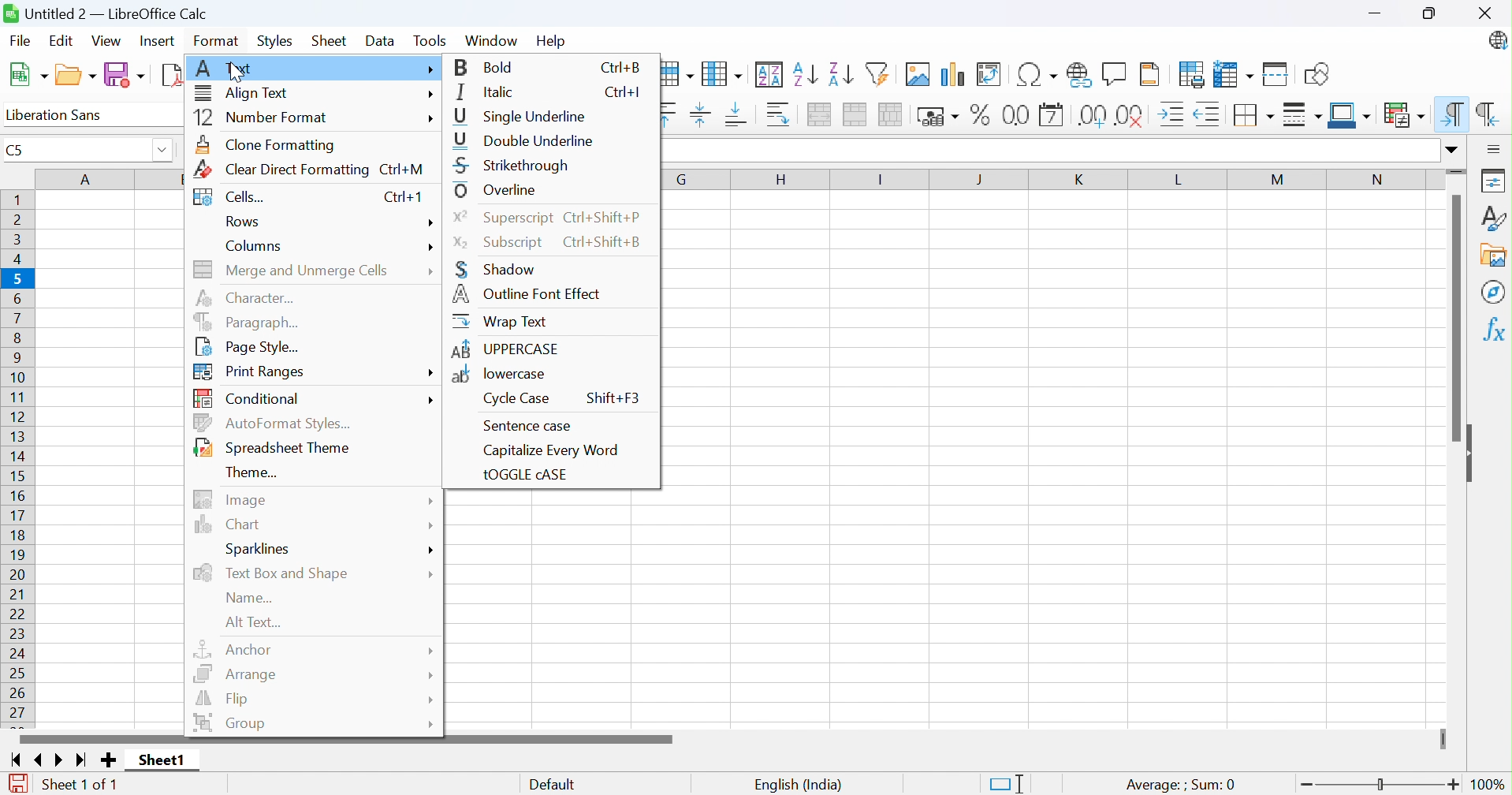 This screenshot has width=1512, height=795. What do you see at coordinates (255, 622) in the screenshot?
I see `Alt text` at bounding box center [255, 622].